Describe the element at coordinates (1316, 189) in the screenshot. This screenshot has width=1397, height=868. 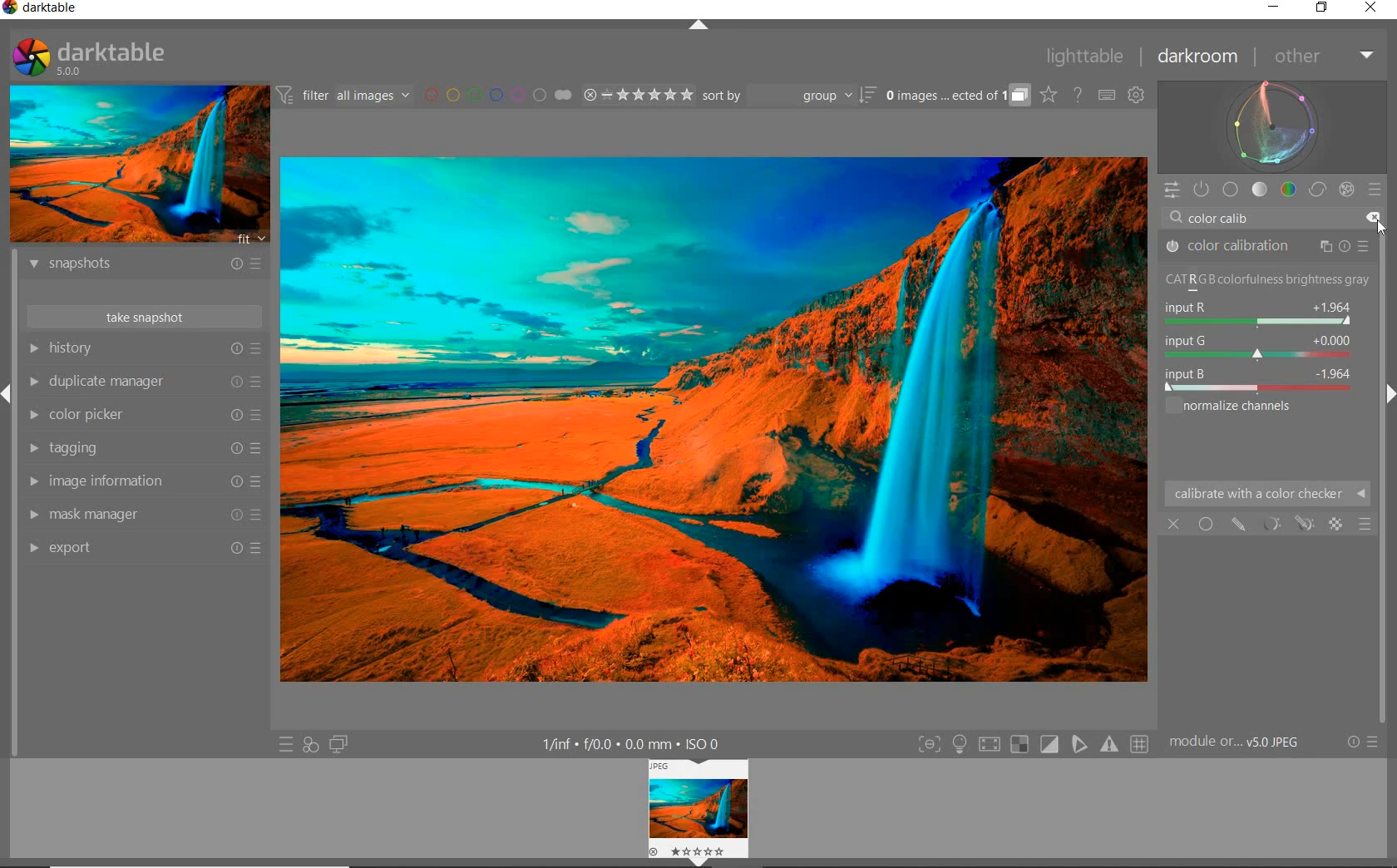
I see `correct` at that location.